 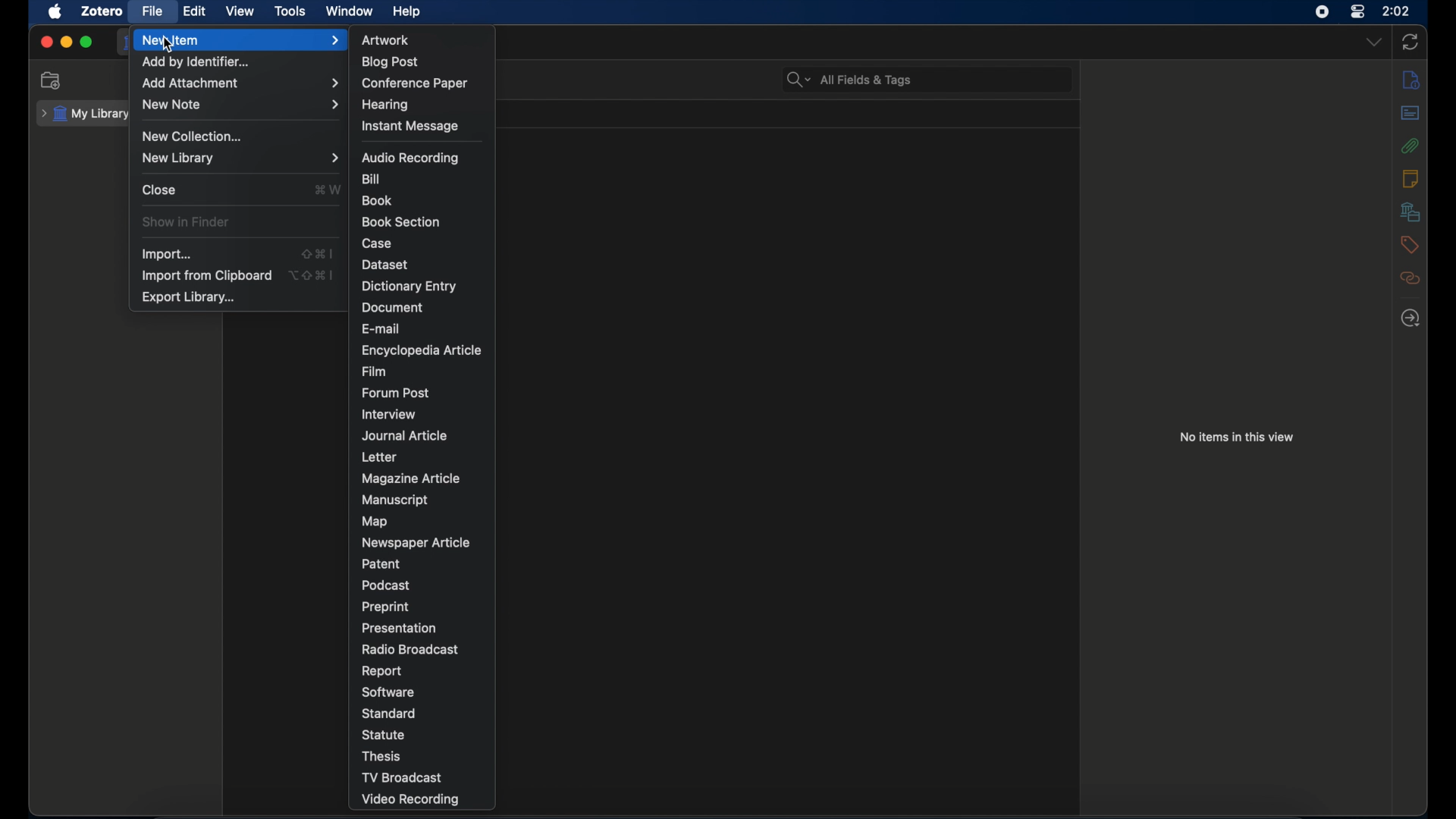 I want to click on control center, so click(x=1359, y=11).